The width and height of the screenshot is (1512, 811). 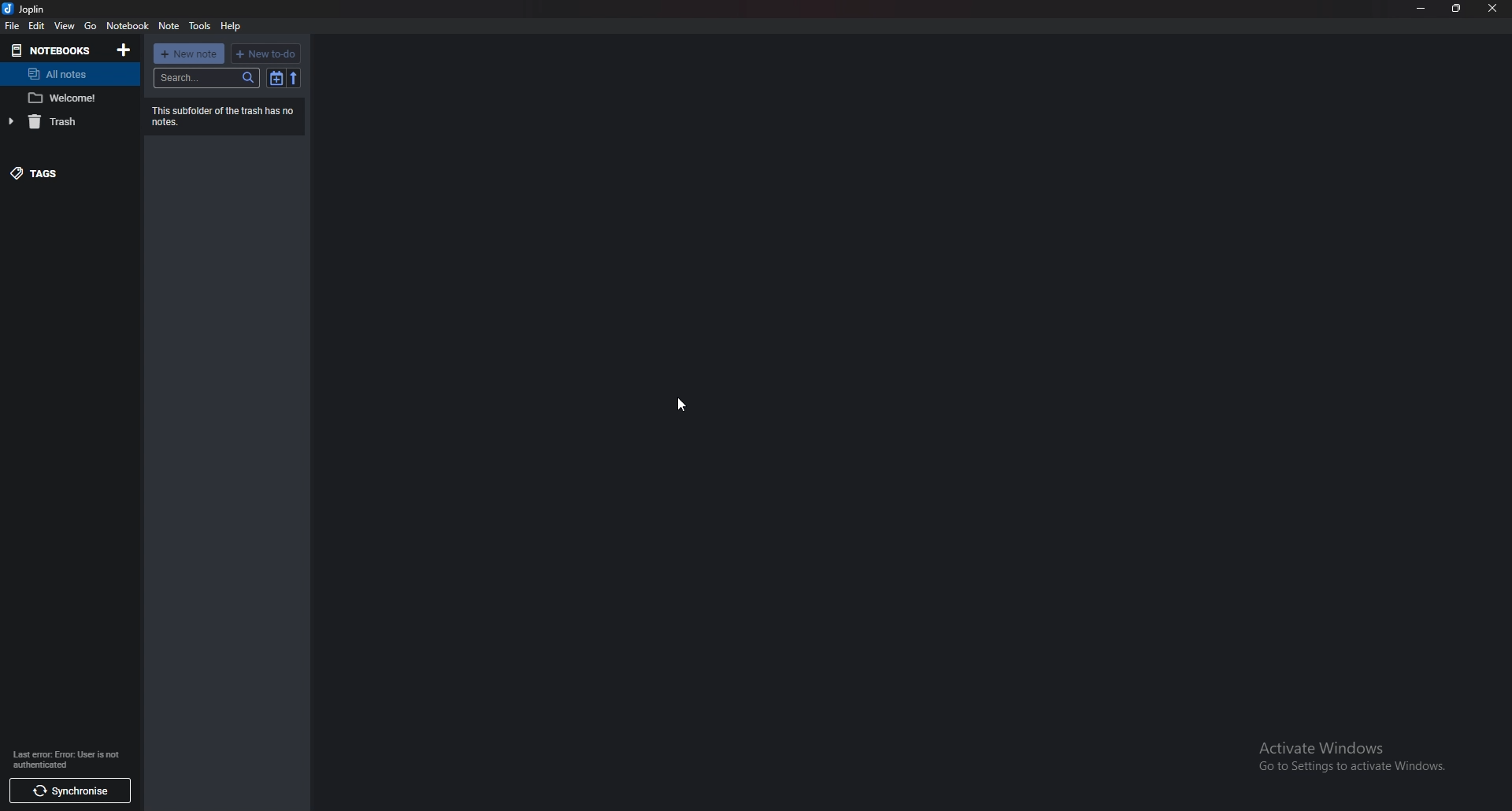 What do you see at coordinates (13, 26) in the screenshot?
I see `file` at bounding box center [13, 26].